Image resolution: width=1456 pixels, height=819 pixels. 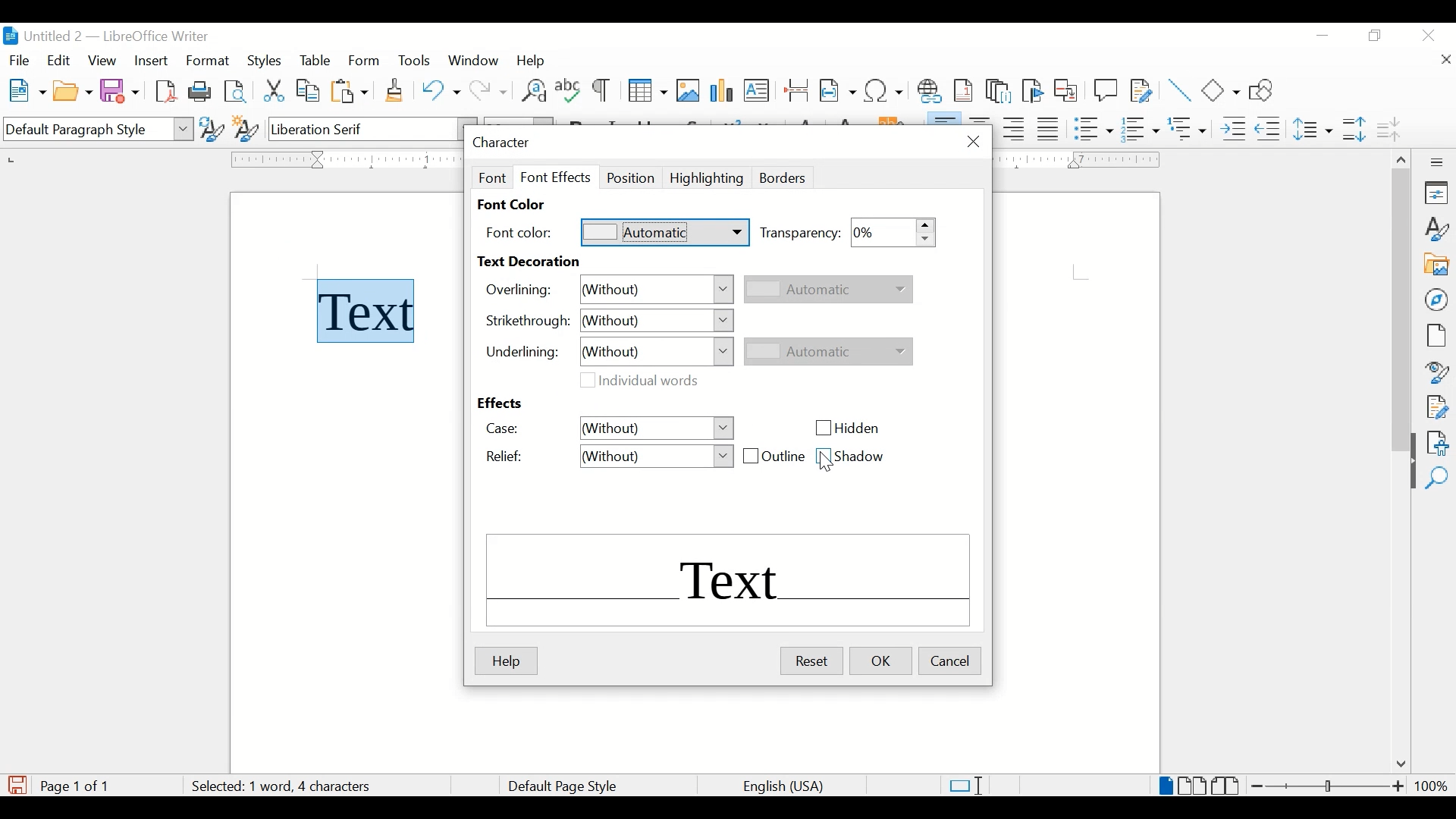 What do you see at coordinates (796, 89) in the screenshot?
I see `insert page break` at bounding box center [796, 89].